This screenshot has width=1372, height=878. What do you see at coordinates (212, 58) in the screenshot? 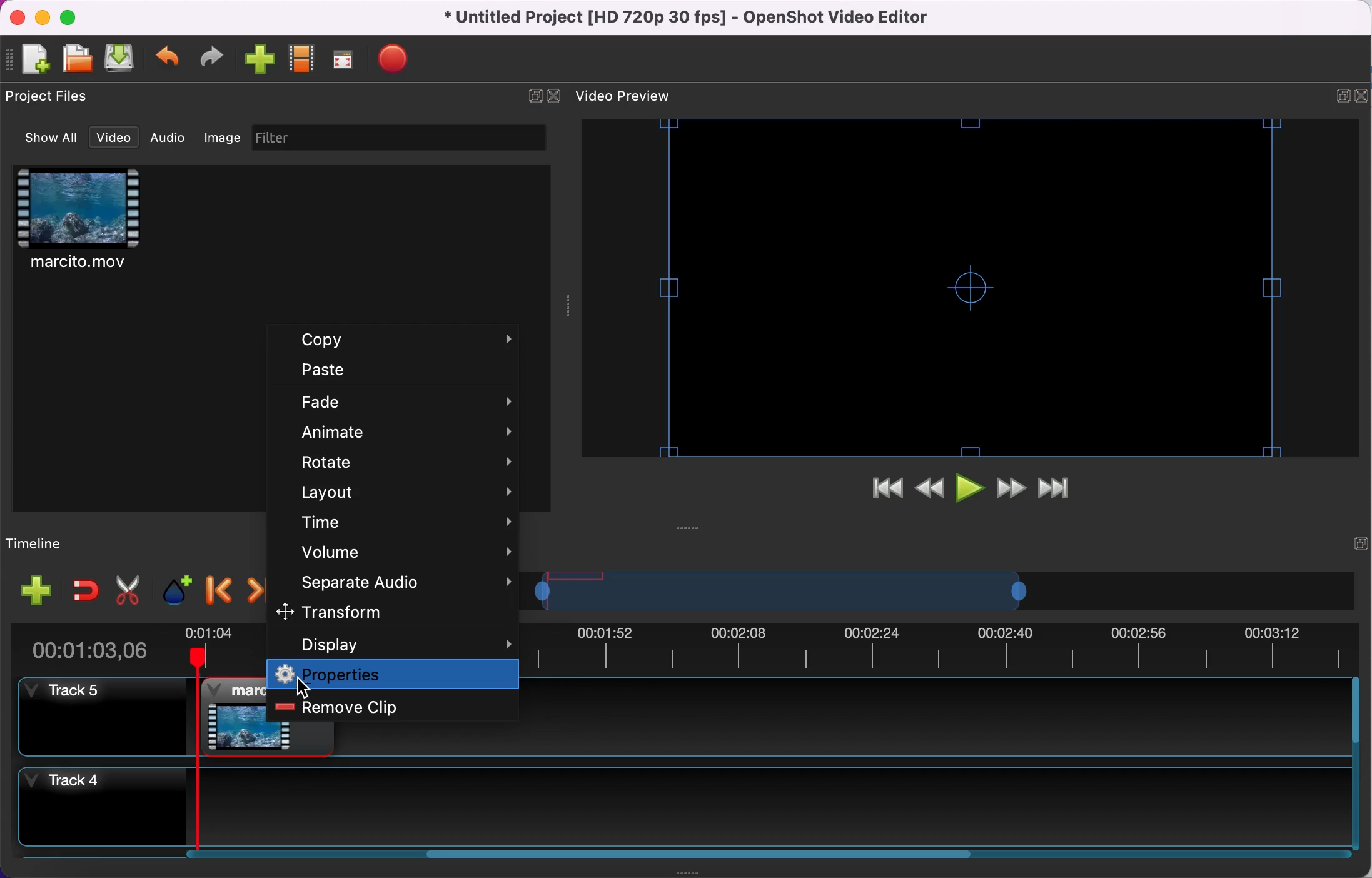
I see `redo` at bounding box center [212, 58].